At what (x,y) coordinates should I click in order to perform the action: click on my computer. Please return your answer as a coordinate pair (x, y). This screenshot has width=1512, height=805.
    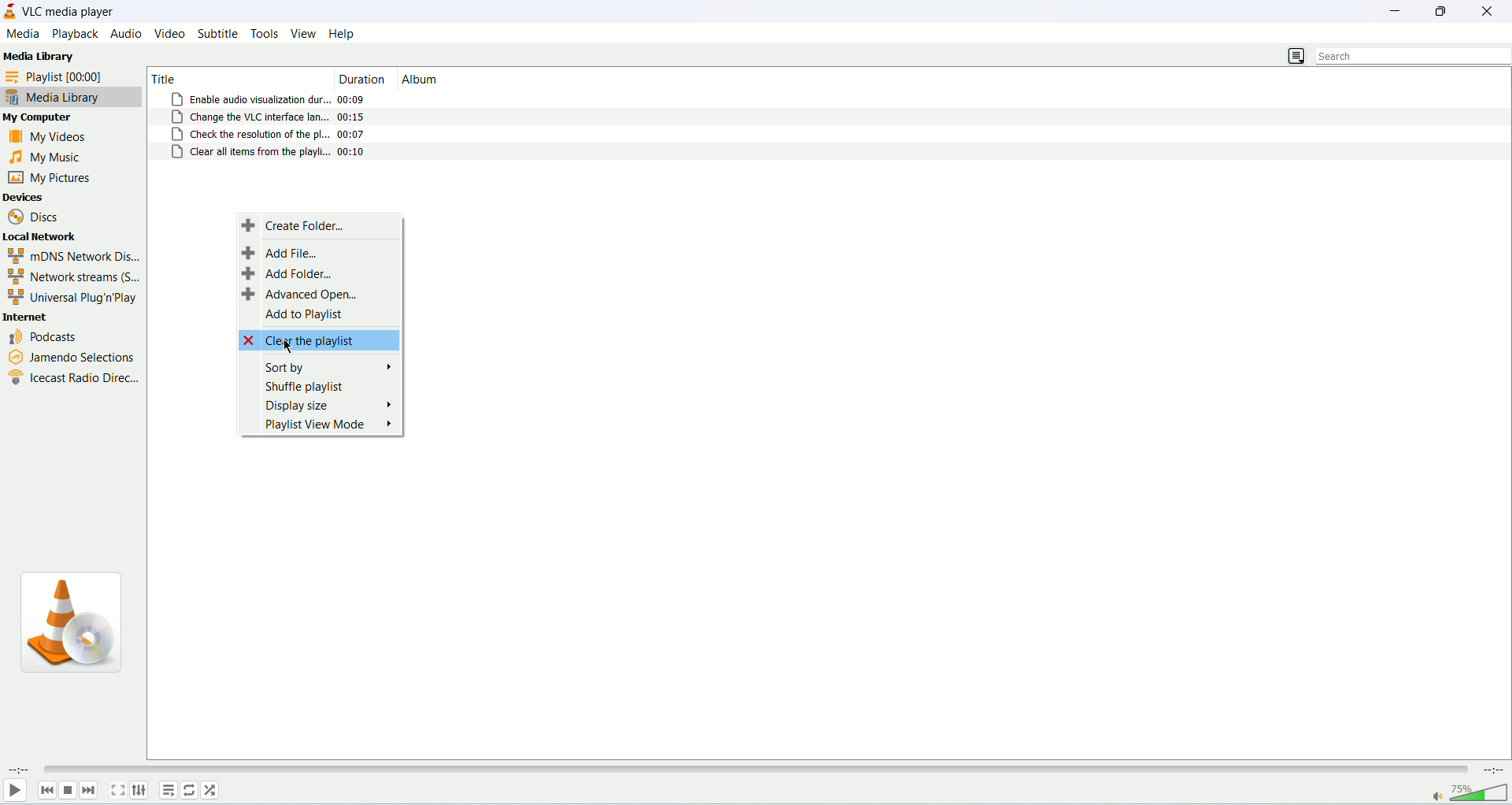
    Looking at the image, I should click on (41, 117).